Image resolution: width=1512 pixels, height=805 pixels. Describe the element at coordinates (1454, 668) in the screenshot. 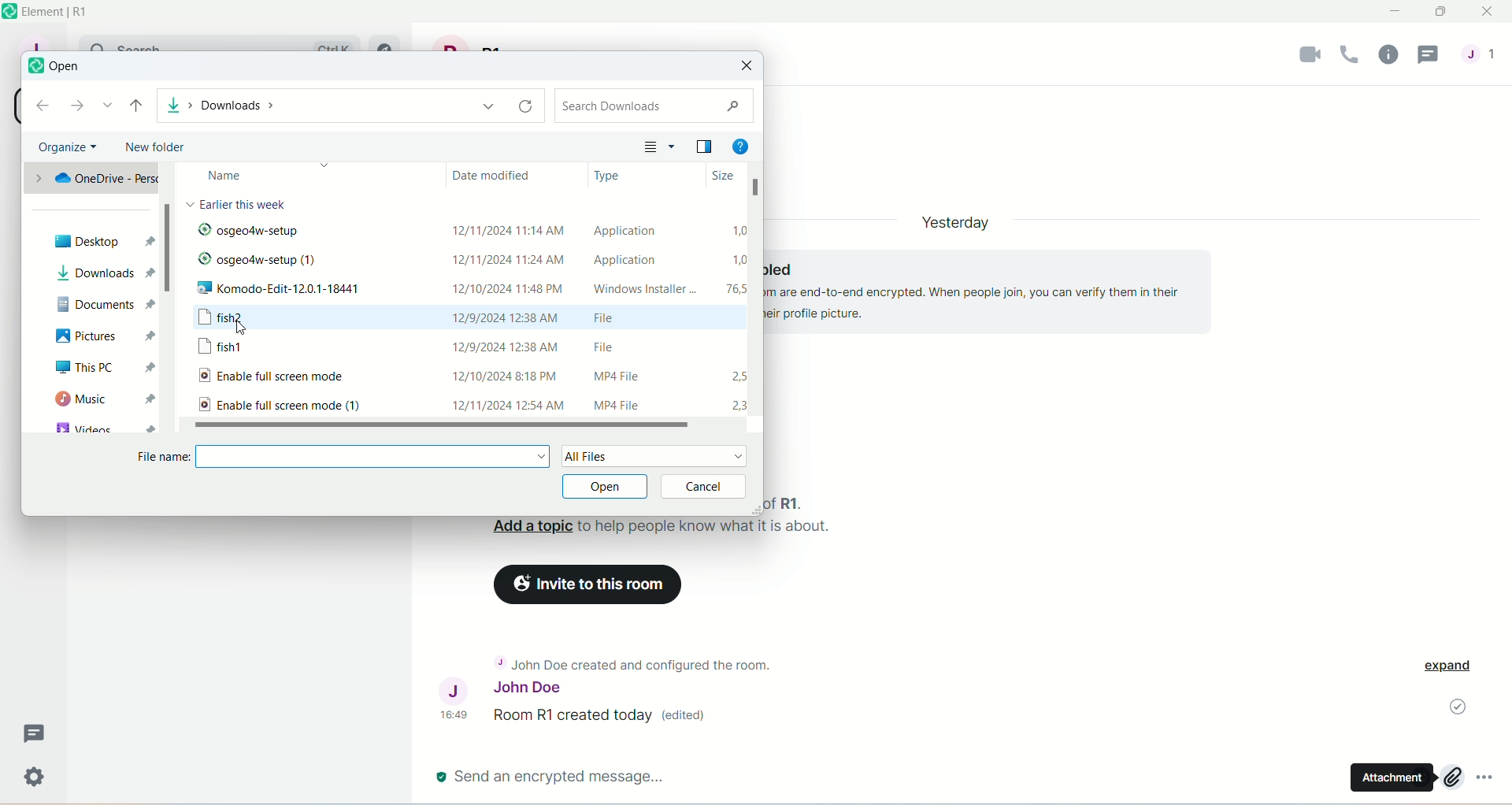

I see `expand` at that location.